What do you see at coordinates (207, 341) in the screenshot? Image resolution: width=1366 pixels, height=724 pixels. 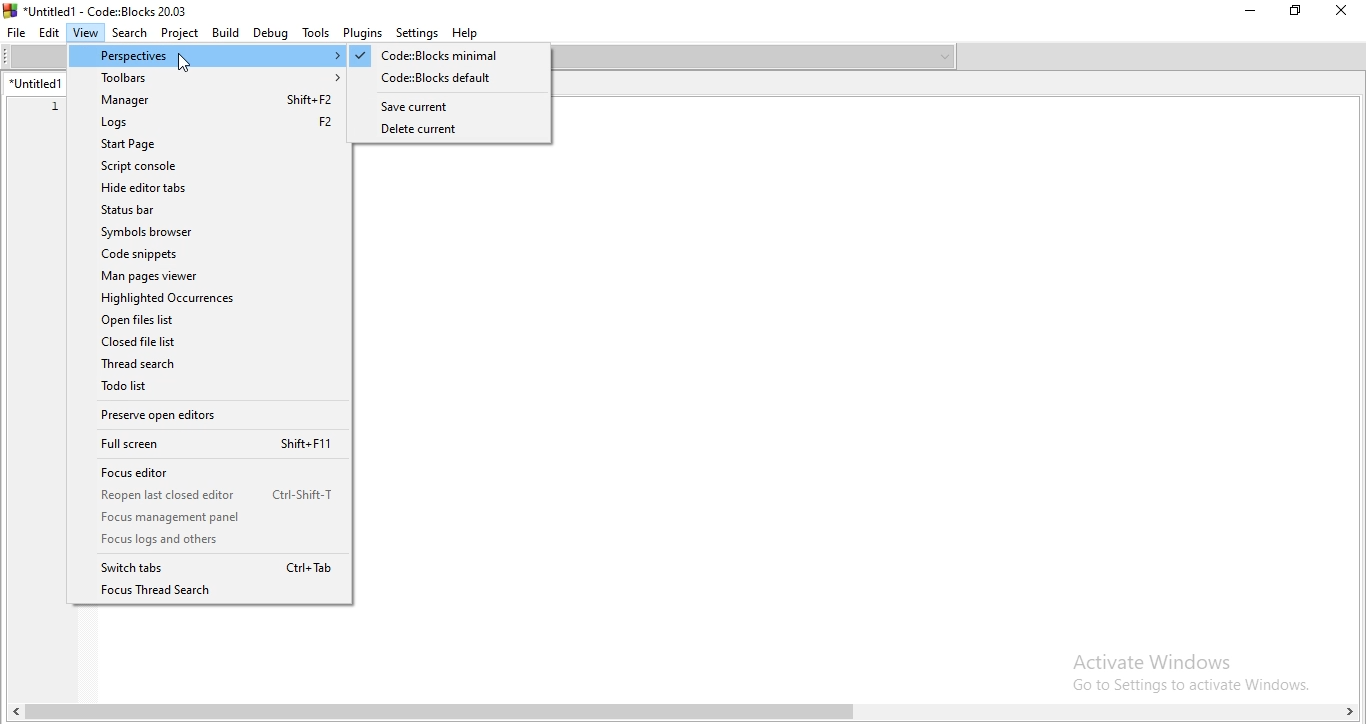 I see `Closed file list` at bounding box center [207, 341].